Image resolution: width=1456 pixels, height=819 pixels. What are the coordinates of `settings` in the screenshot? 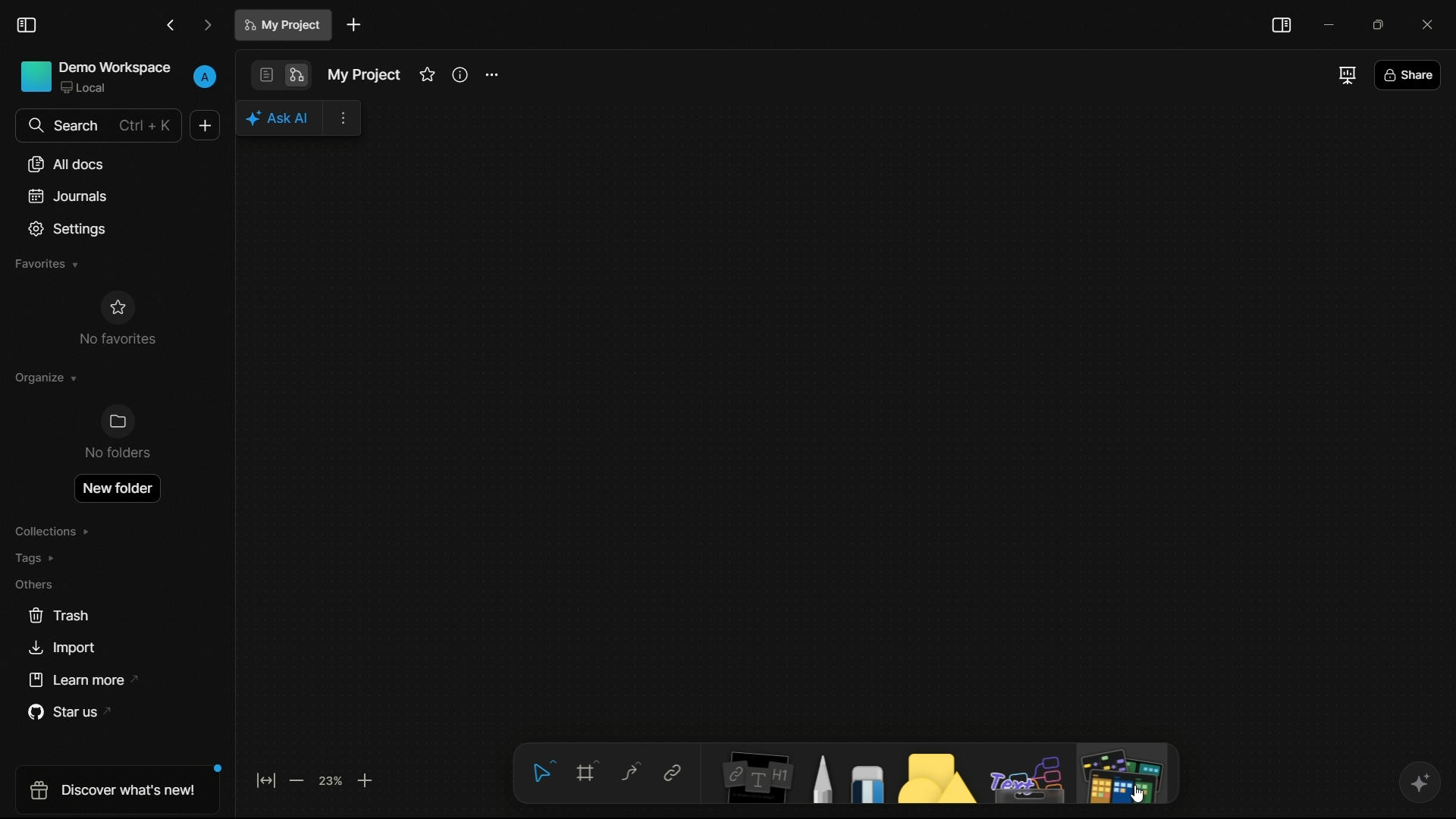 It's located at (68, 229).